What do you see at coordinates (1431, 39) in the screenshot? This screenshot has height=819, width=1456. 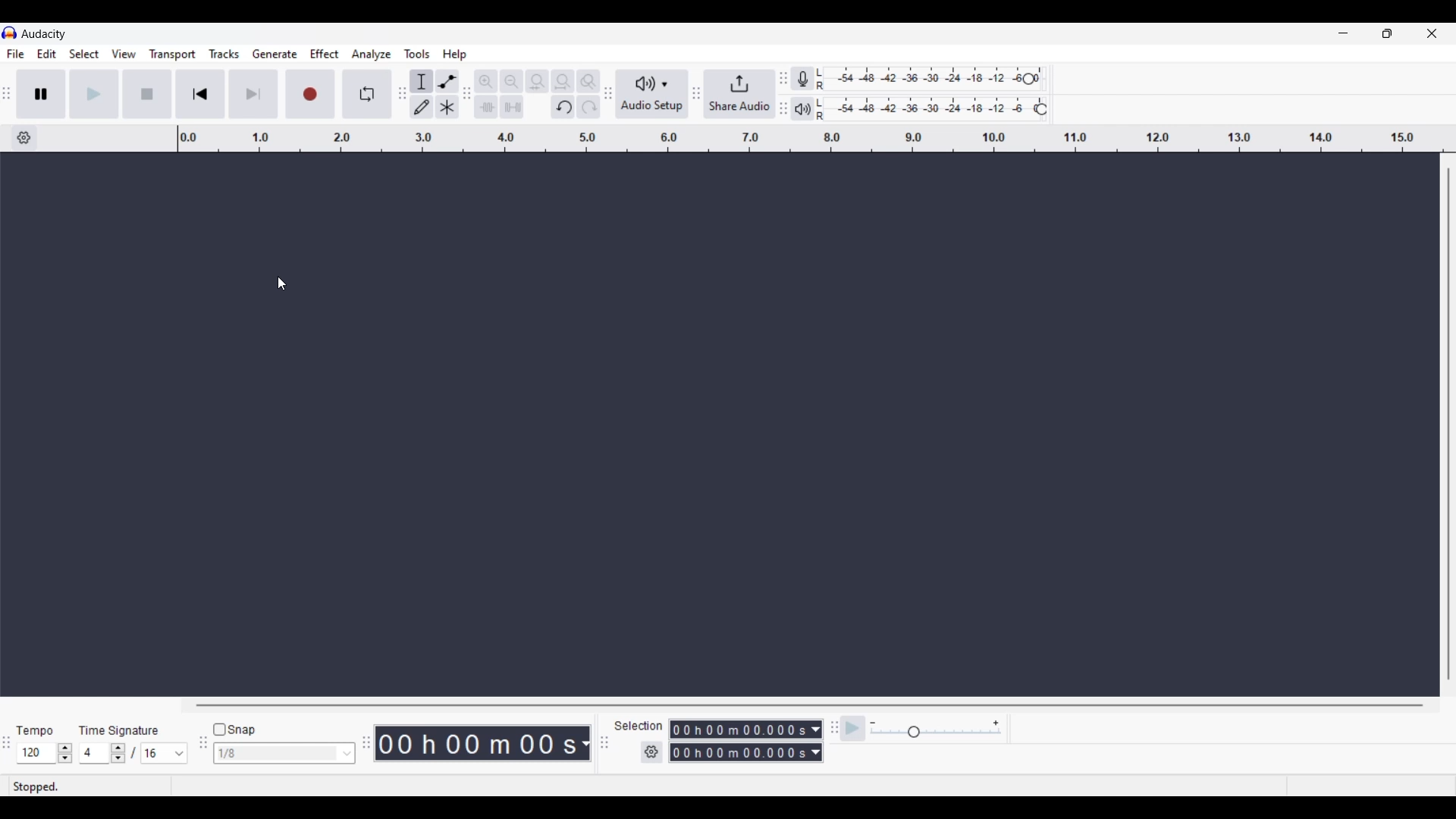 I see `Close interface` at bounding box center [1431, 39].